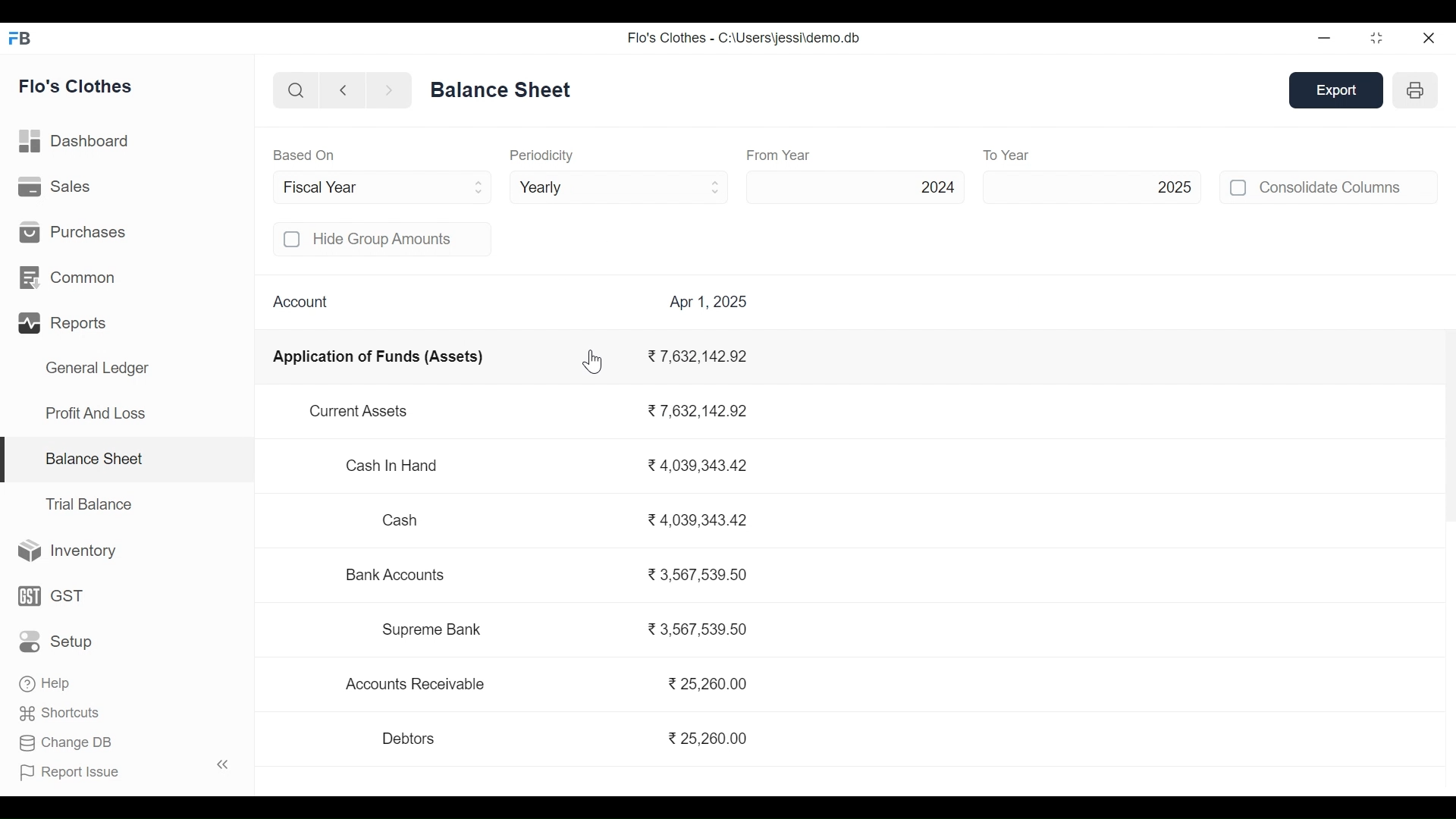 The image size is (1456, 819). Describe the element at coordinates (95, 413) in the screenshot. I see `Profit And Loss` at that location.